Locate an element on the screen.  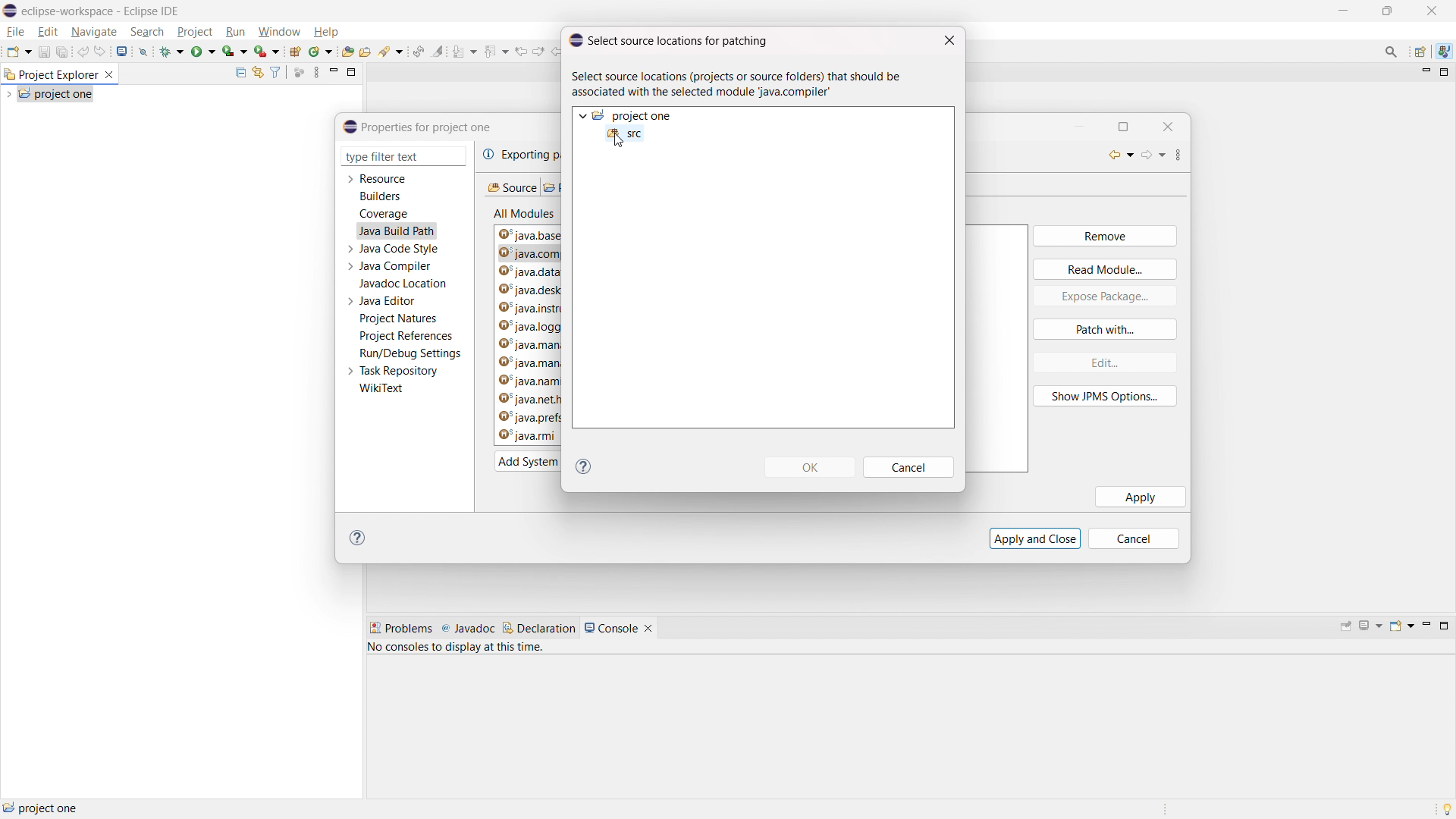
open task is located at coordinates (366, 51).